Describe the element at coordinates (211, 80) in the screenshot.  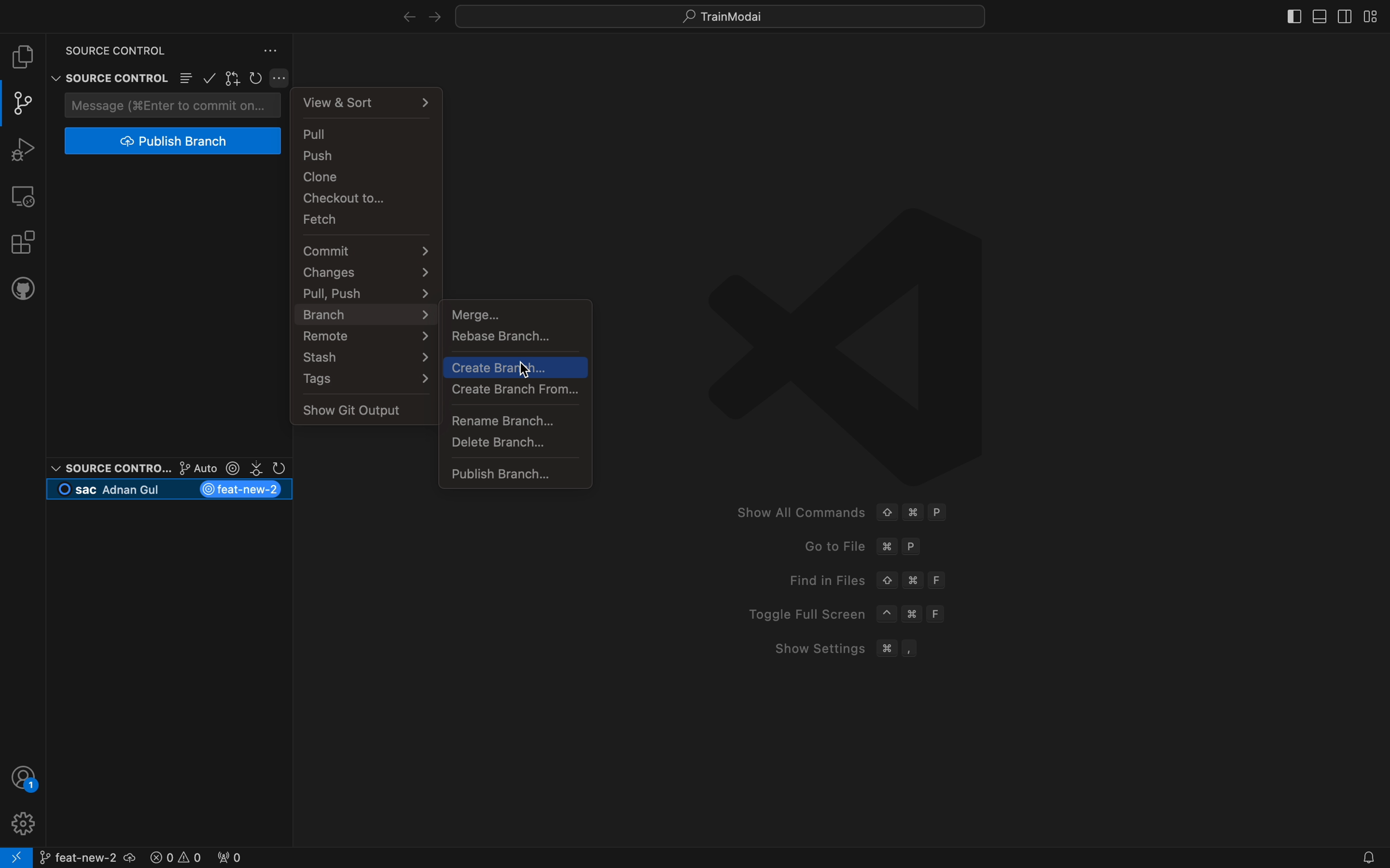
I see `confirm` at that location.